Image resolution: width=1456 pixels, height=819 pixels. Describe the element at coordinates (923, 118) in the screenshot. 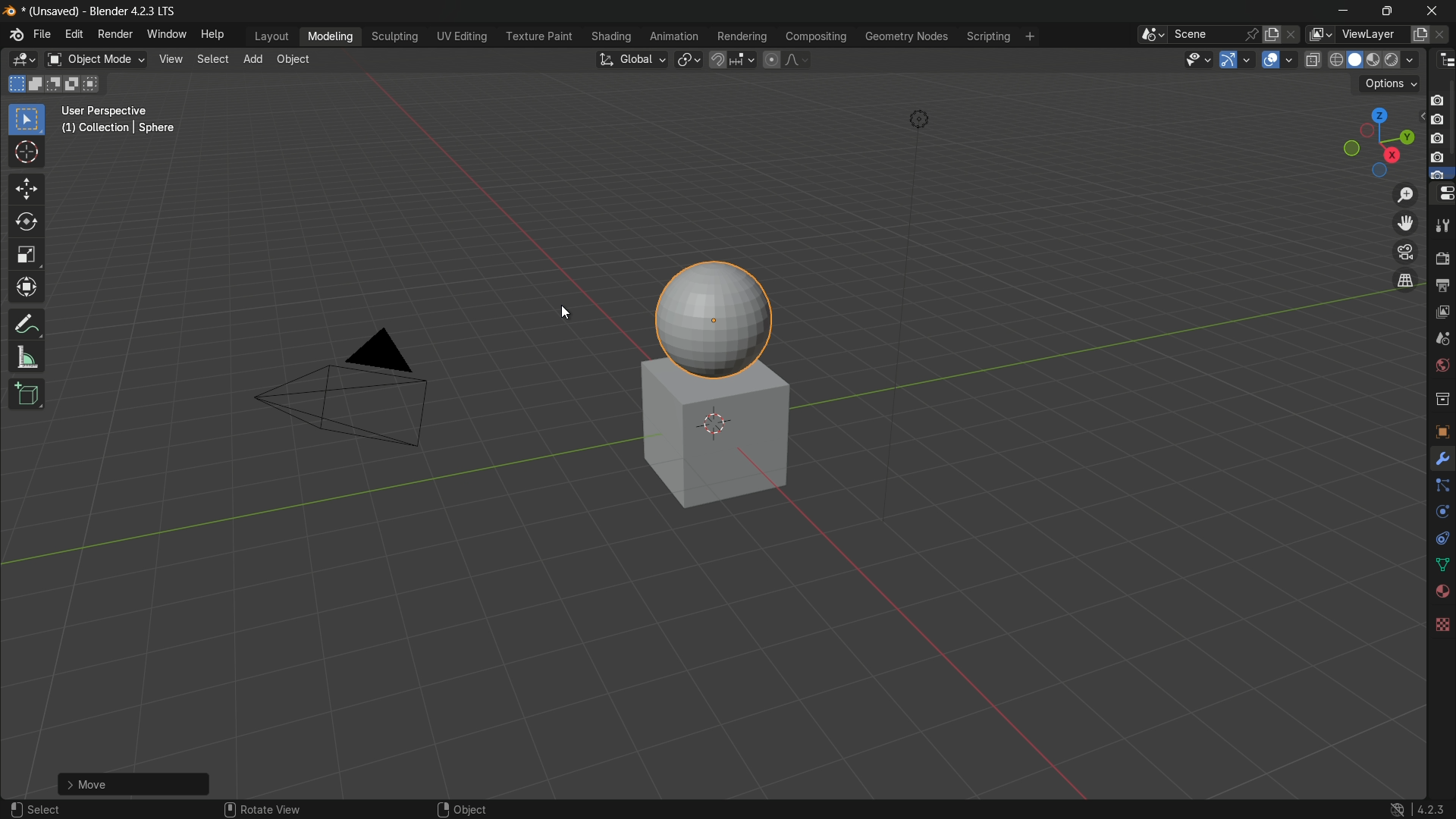

I see `light` at that location.